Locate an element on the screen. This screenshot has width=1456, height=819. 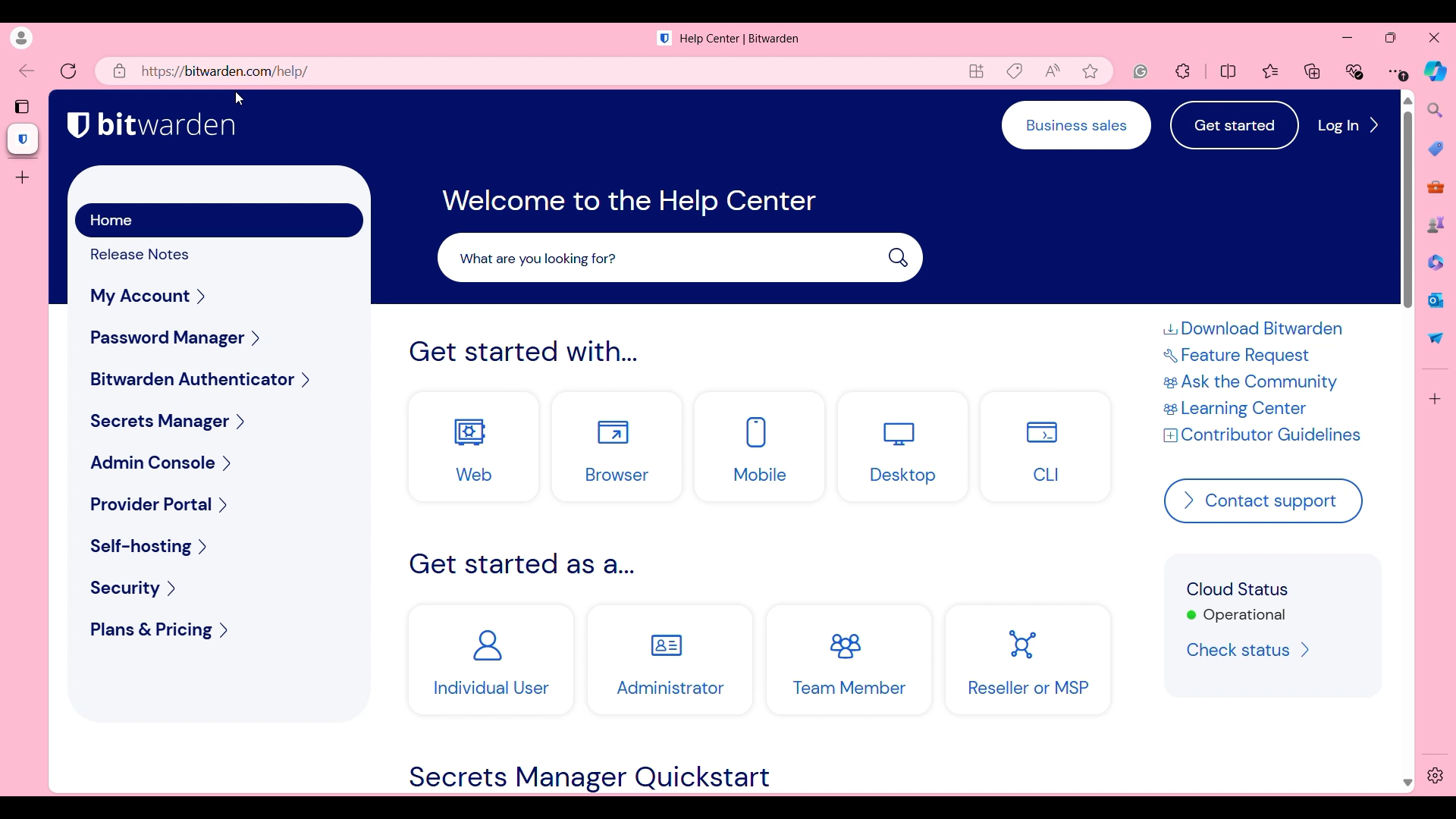
Add current page to favorites is located at coordinates (1090, 71).